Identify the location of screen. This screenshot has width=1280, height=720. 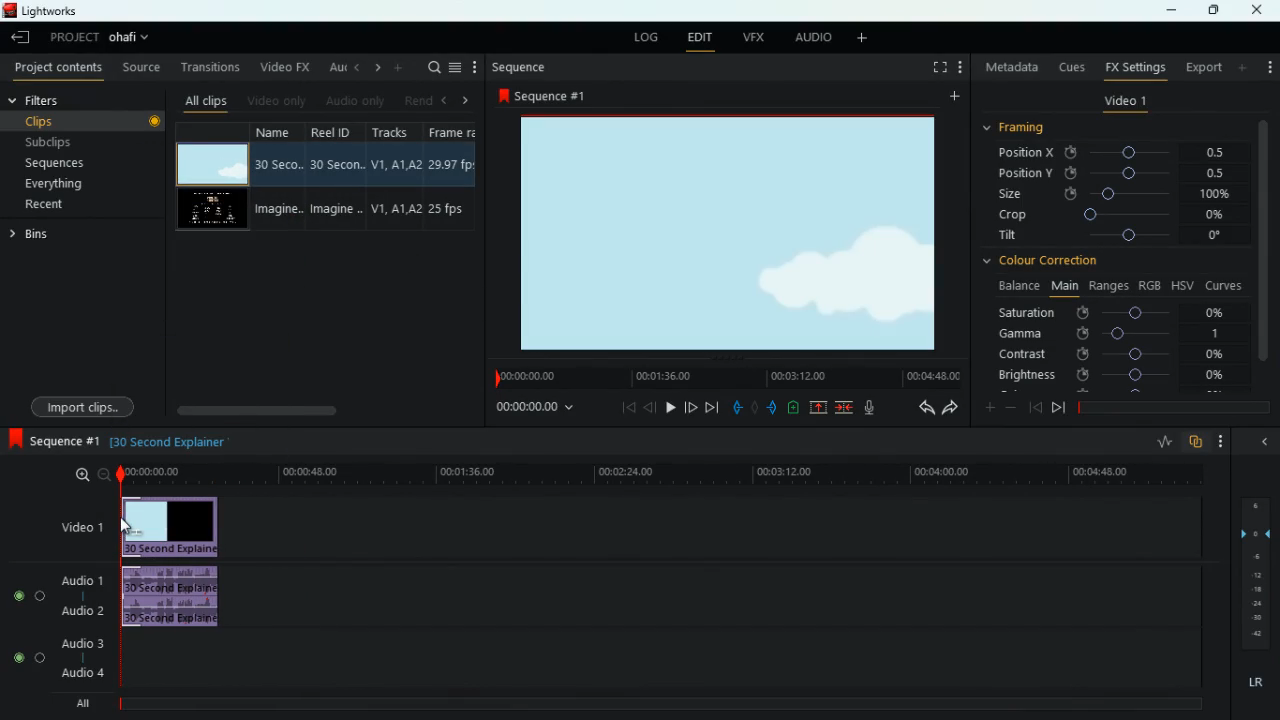
(732, 235).